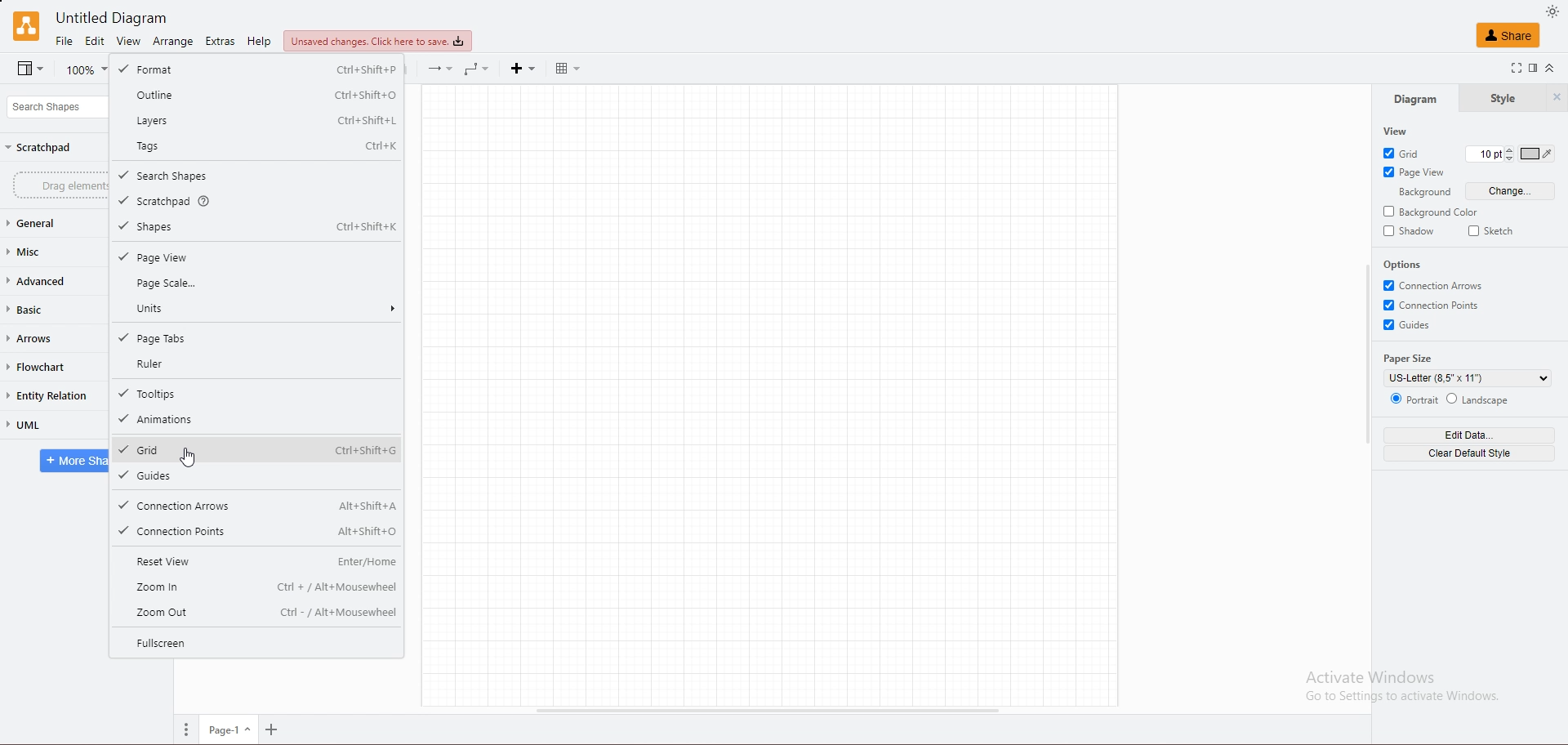  Describe the element at coordinates (30, 69) in the screenshot. I see `view` at that location.